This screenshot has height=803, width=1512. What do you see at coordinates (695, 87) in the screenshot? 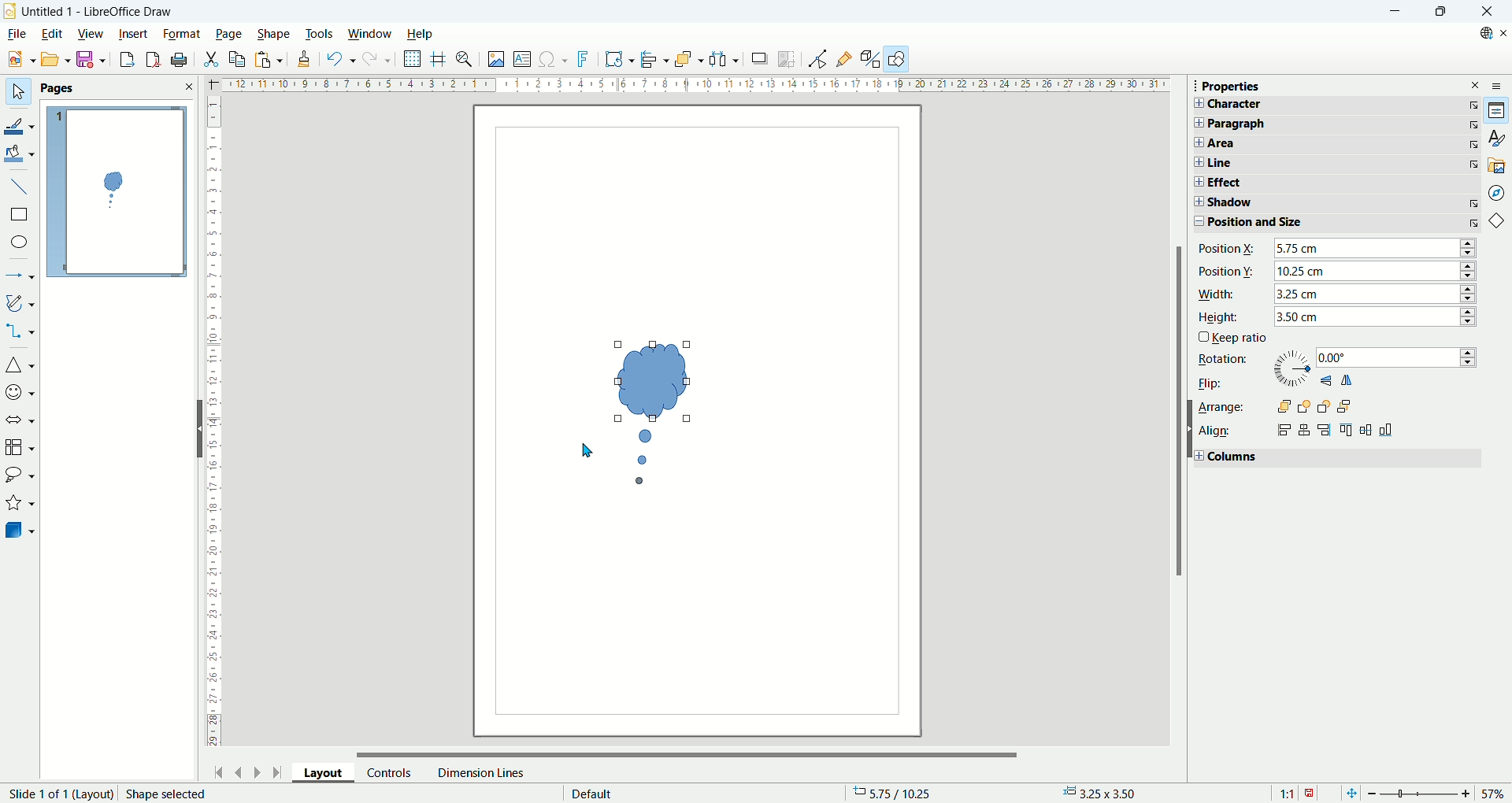
I see `Hotizontal ruler` at bounding box center [695, 87].